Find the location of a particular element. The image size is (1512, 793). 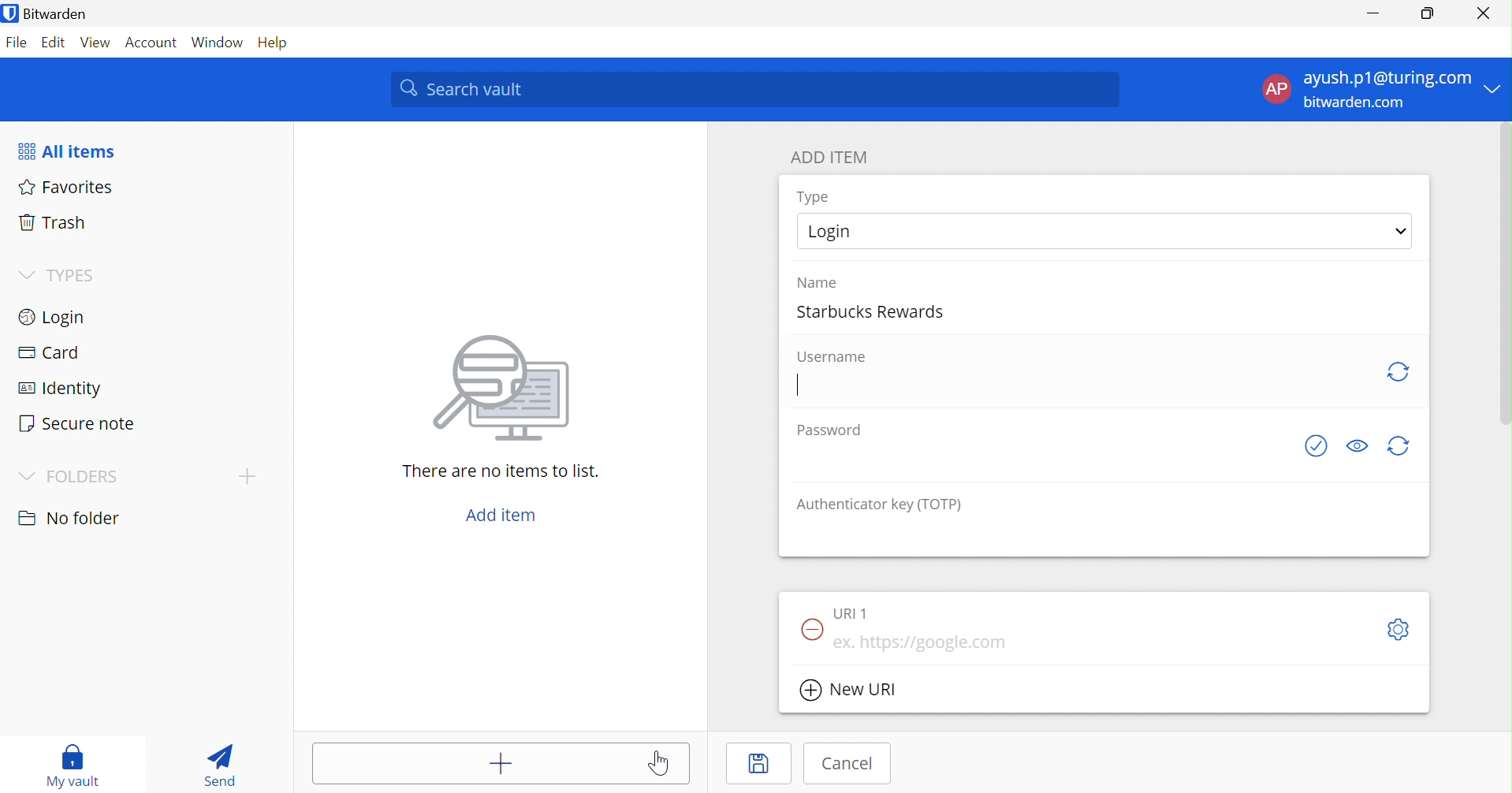

Identify is located at coordinates (59, 390).